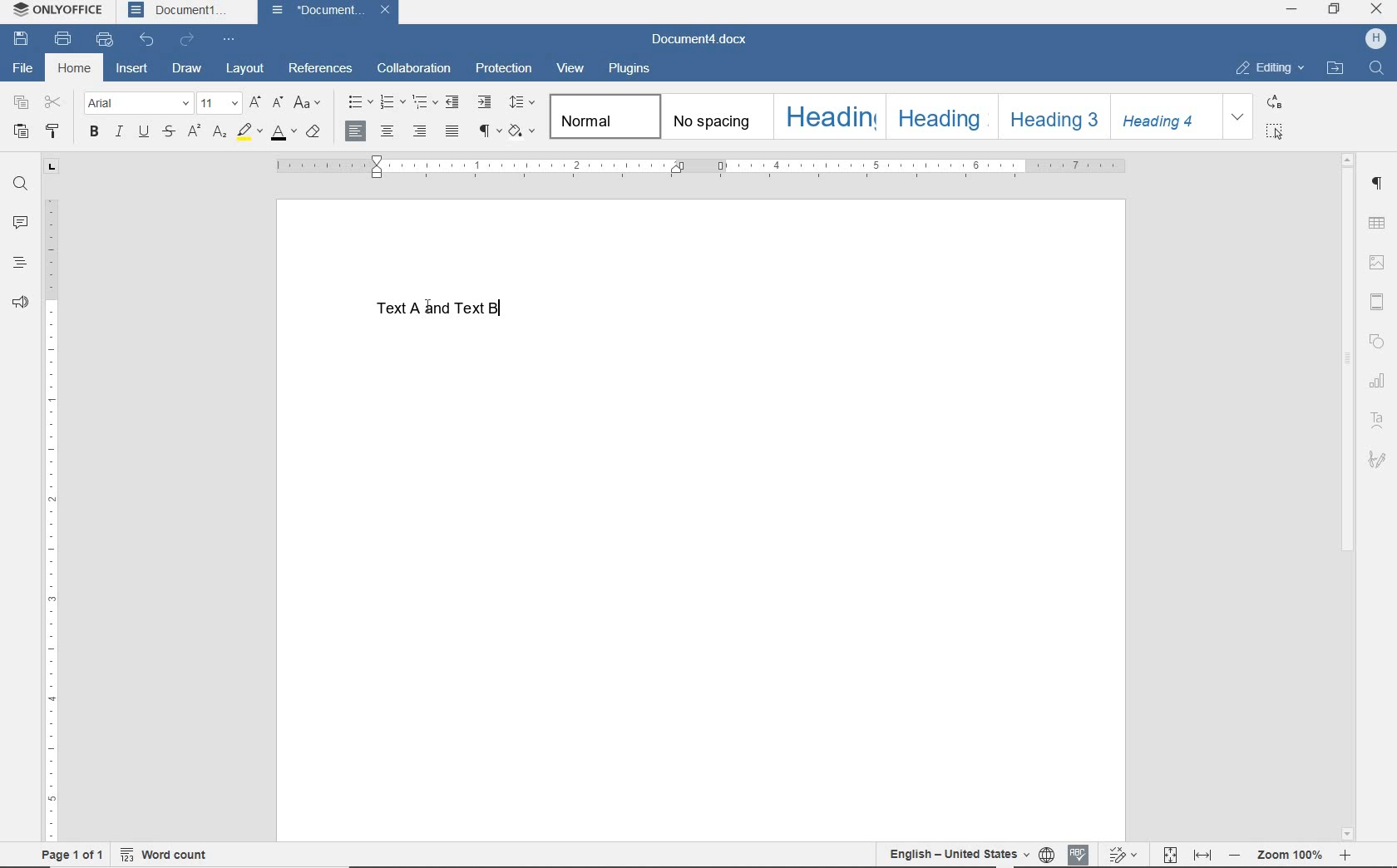 The width and height of the screenshot is (1397, 868). What do you see at coordinates (66, 855) in the screenshot?
I see `PAGE 1 OF 1` at bounding box center [66, 855].